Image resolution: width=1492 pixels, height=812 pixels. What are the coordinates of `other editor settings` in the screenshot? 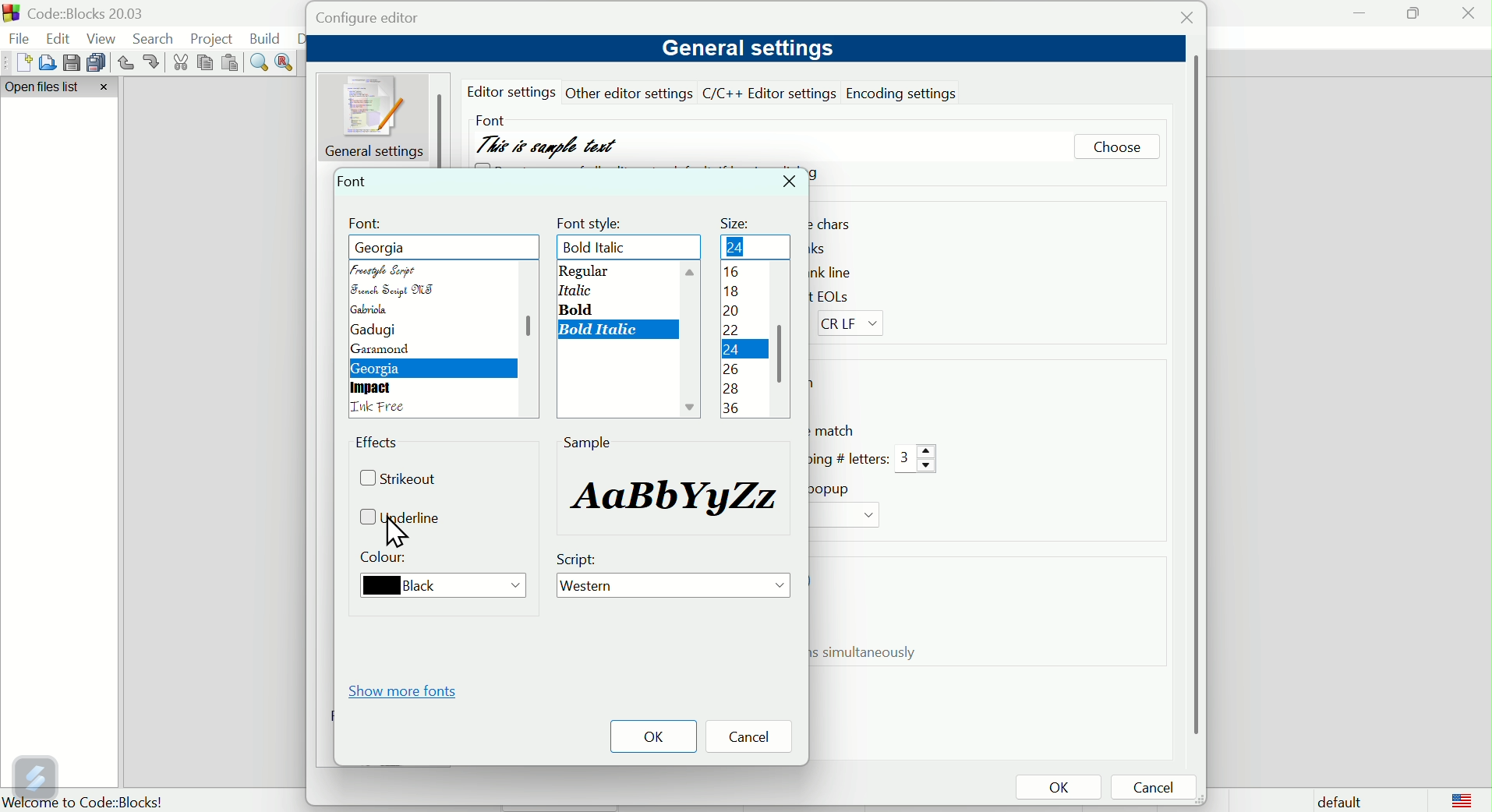 It's located at (631, 93).